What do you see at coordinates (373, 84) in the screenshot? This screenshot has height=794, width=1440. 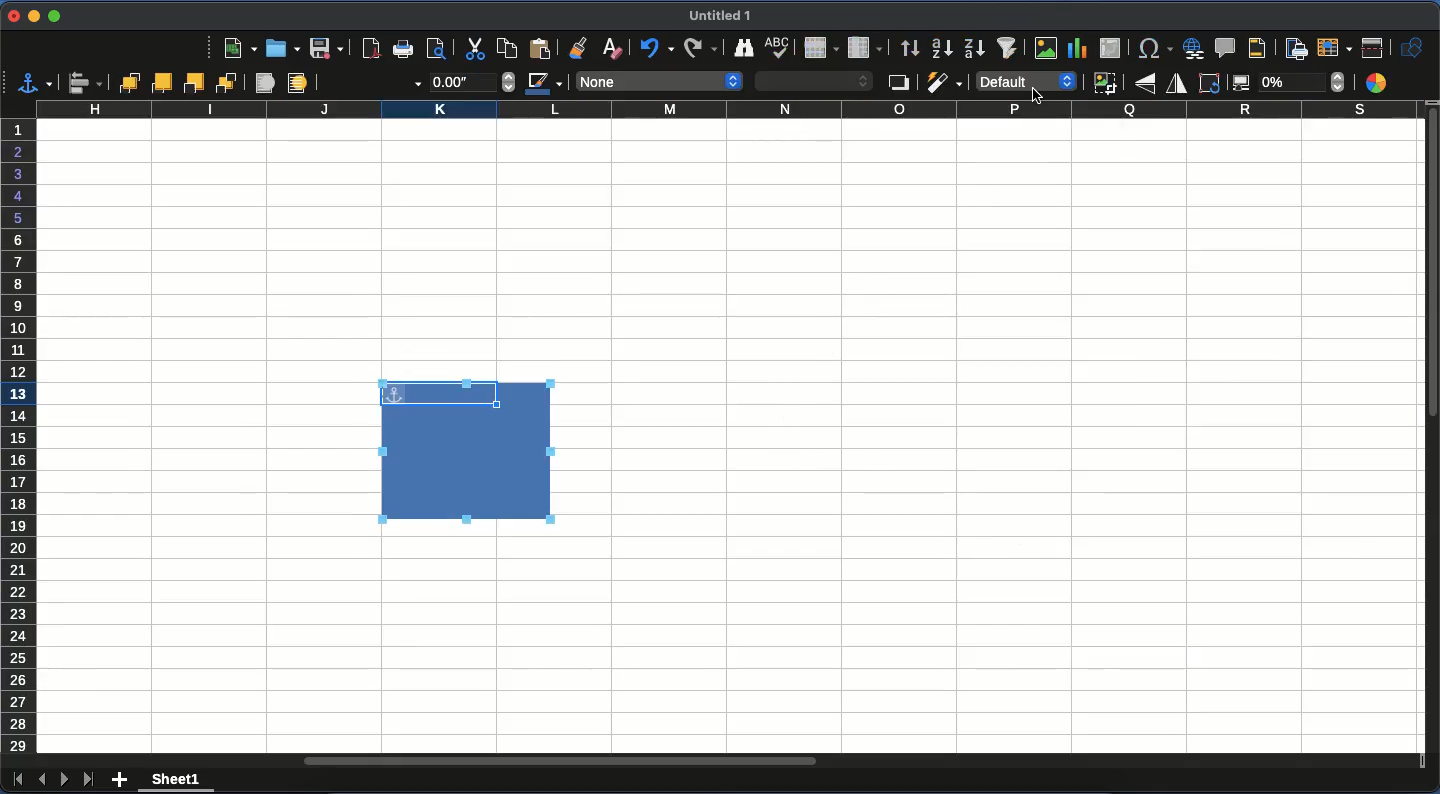 I see `line style` at bounding box center [373, 84].